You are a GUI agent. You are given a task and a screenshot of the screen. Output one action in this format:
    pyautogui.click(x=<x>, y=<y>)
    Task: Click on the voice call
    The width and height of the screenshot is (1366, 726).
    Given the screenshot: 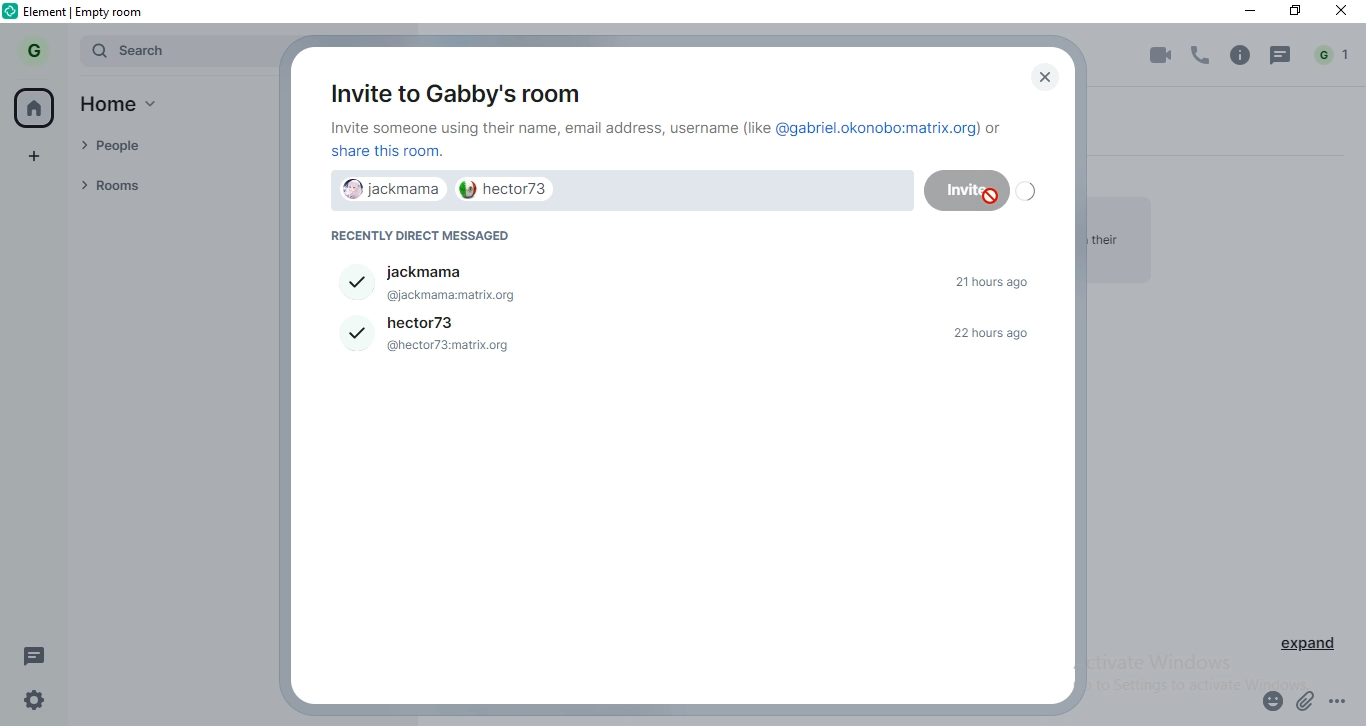 What is the action you would take?
    pyautogui.click(x=1202, y=56)
    